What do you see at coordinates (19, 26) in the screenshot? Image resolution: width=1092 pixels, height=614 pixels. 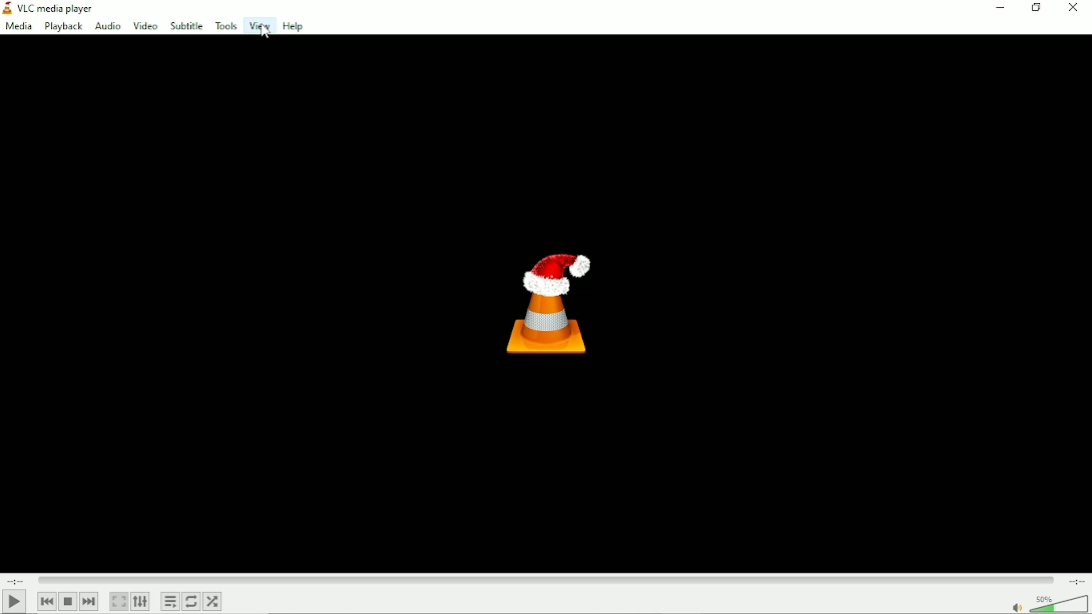 I see `Media` at bounding box center [19, 26].